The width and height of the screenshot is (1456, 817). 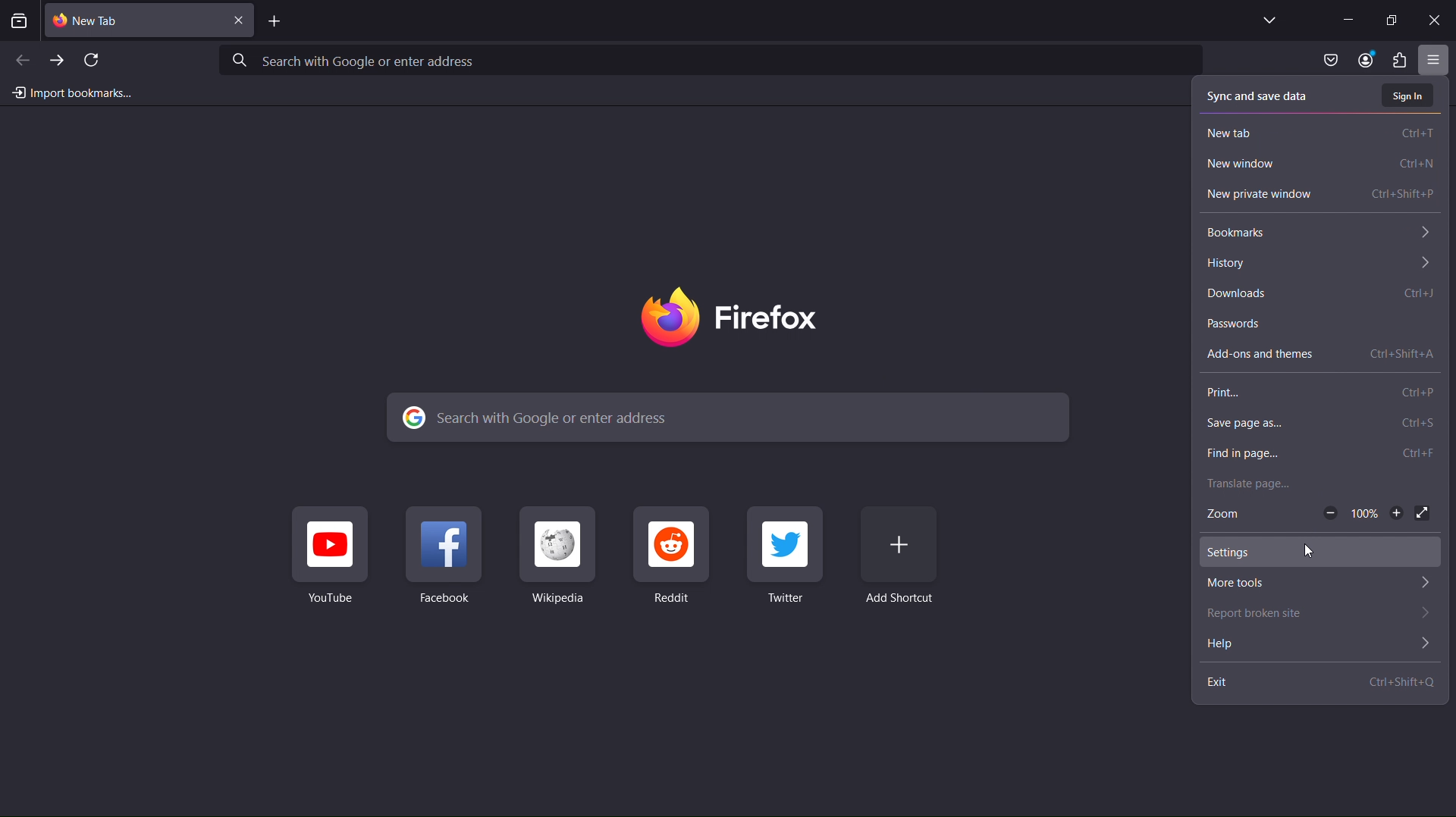 What do you see at coordinates (72, 94) in the screenshot?
I see `Import bookmarks` at bounding box center [72, 94].